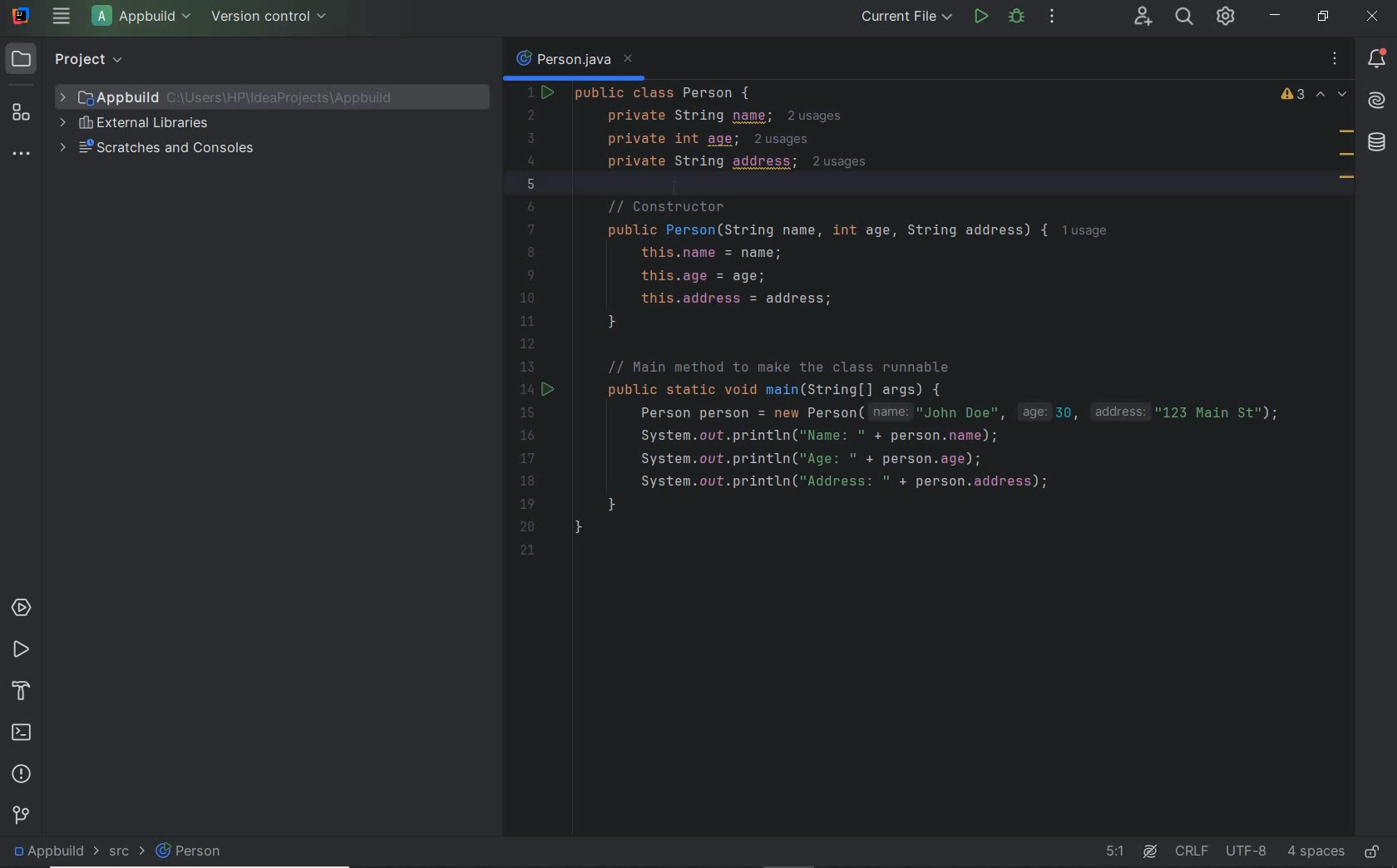  Describe the element at coordinates (145, 18) in the screenshot. I see `project file name` at that location.